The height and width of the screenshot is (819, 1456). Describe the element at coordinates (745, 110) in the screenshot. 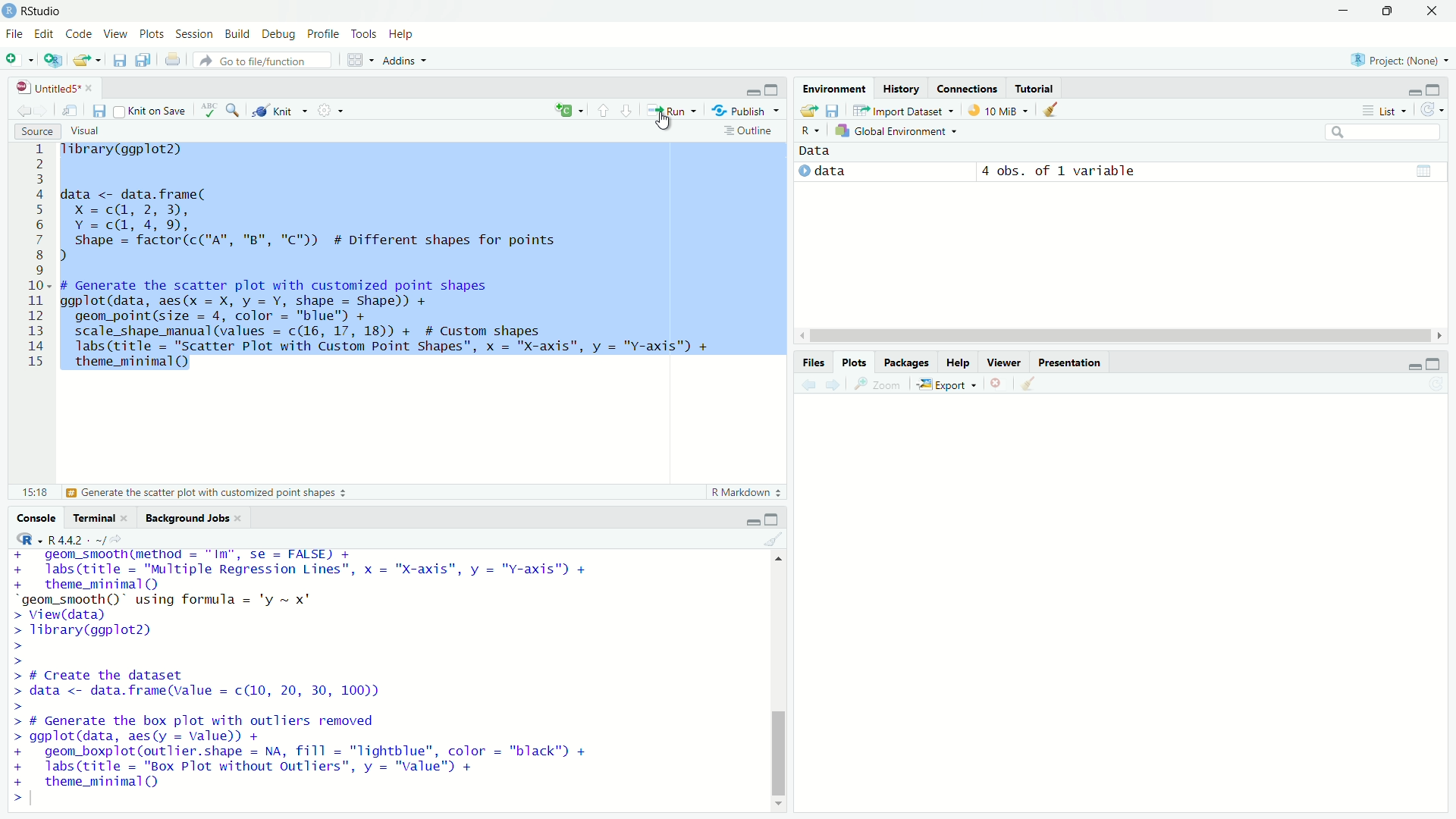

I see `Publish` at that location.